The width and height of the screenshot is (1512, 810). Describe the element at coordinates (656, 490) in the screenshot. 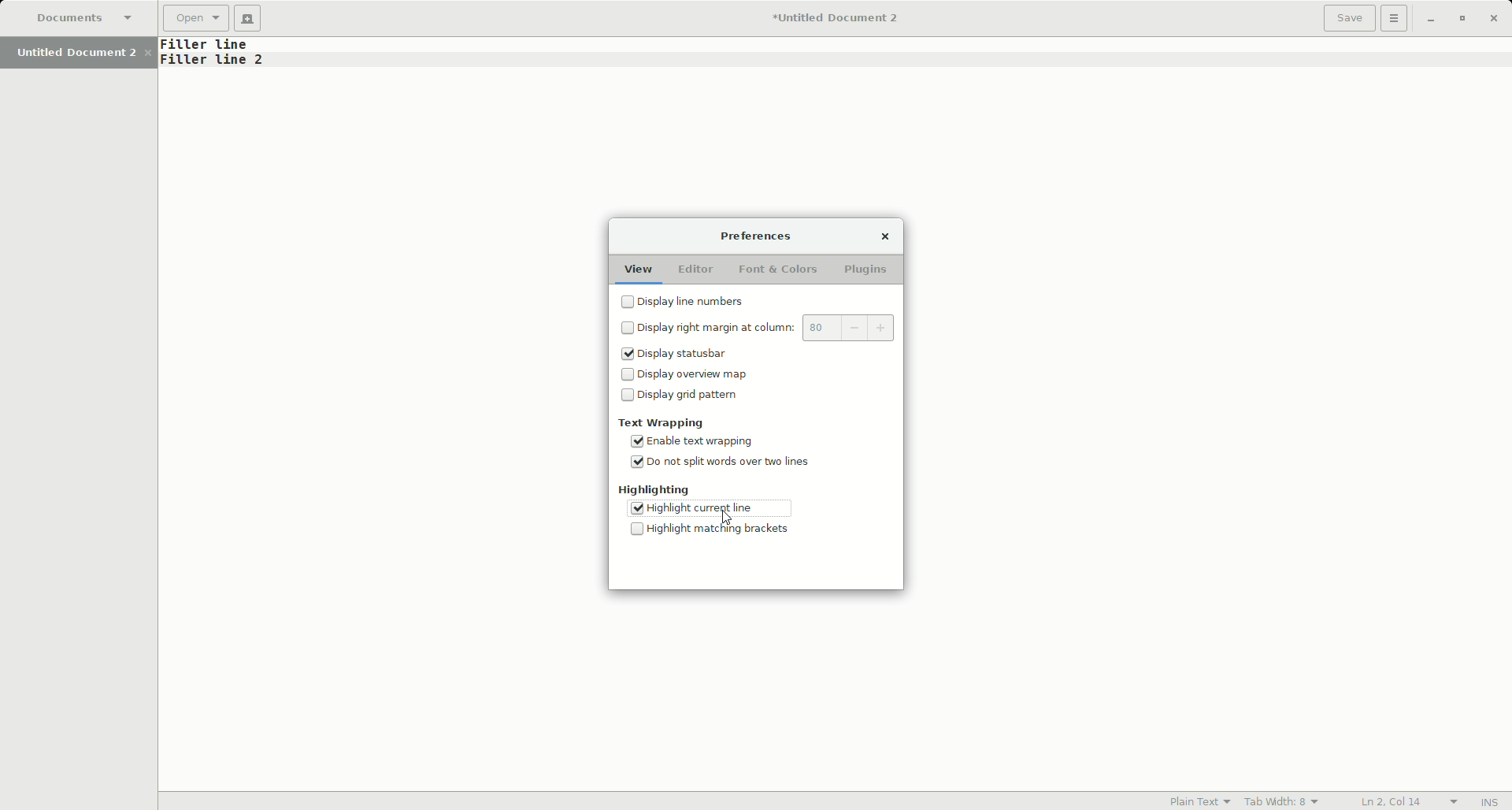

I see `Highlighting` at that location.